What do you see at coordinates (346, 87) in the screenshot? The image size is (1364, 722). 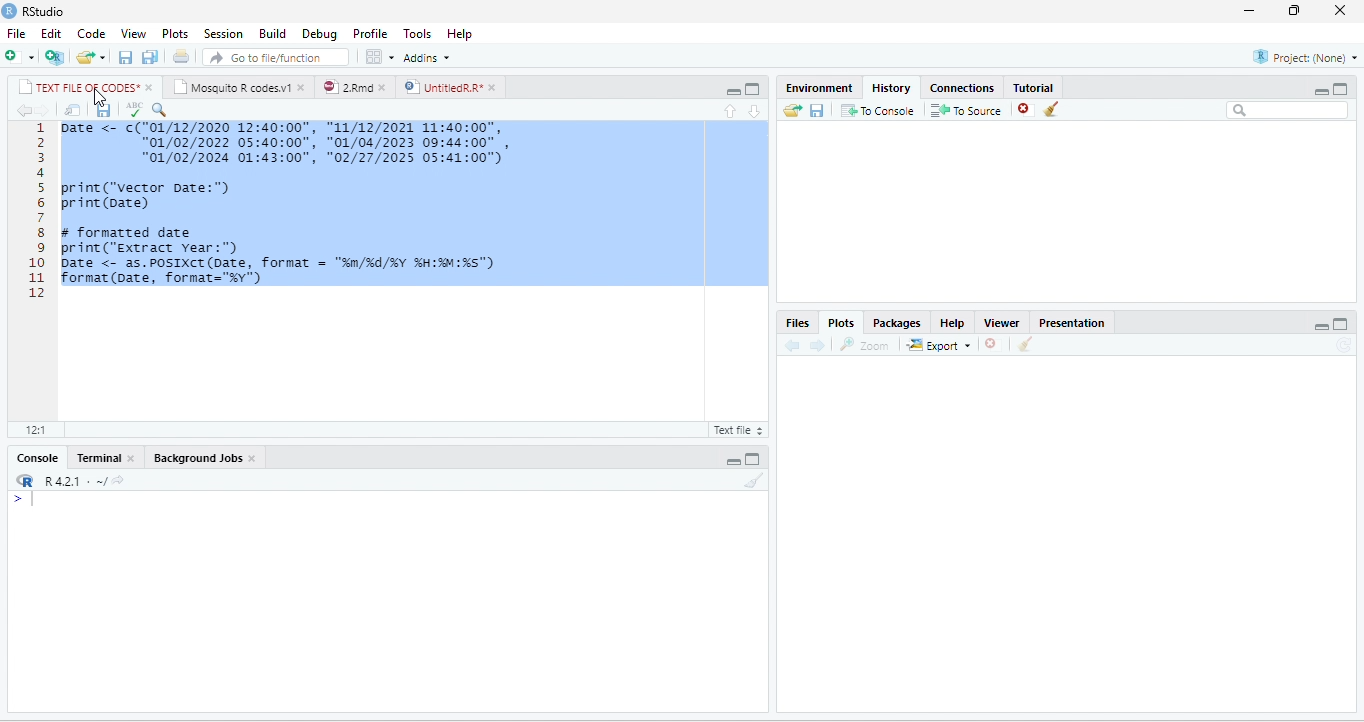 I see `2.Rmd` at bounding box center [346, 87].